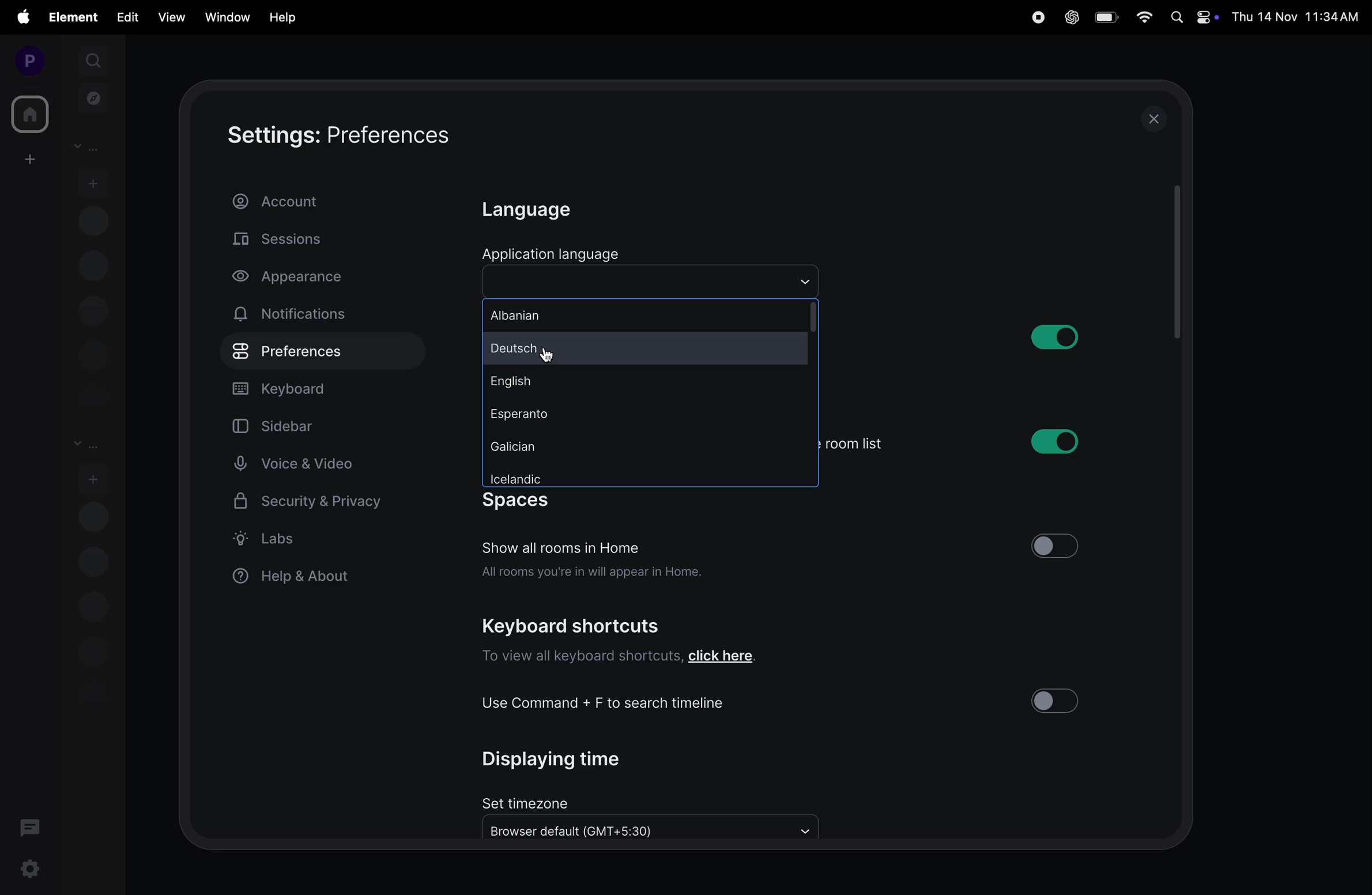 This screenshot has height=895, width=1372. Describe the element at coordinates (94, 479) in the screenshot. I see `add` at that location.